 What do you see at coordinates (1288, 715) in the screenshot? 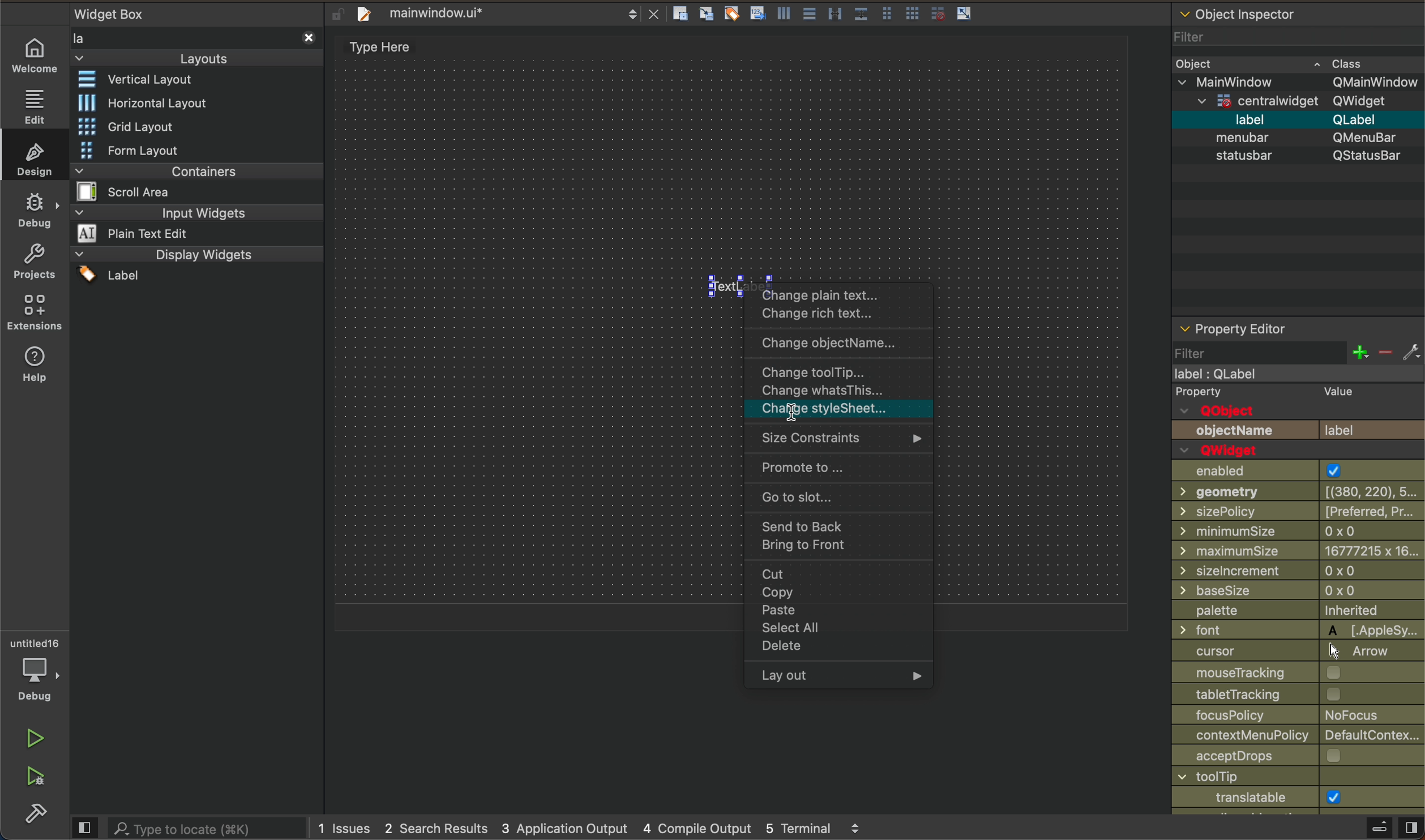
I see `focus` at bounding box center [1288, 715].